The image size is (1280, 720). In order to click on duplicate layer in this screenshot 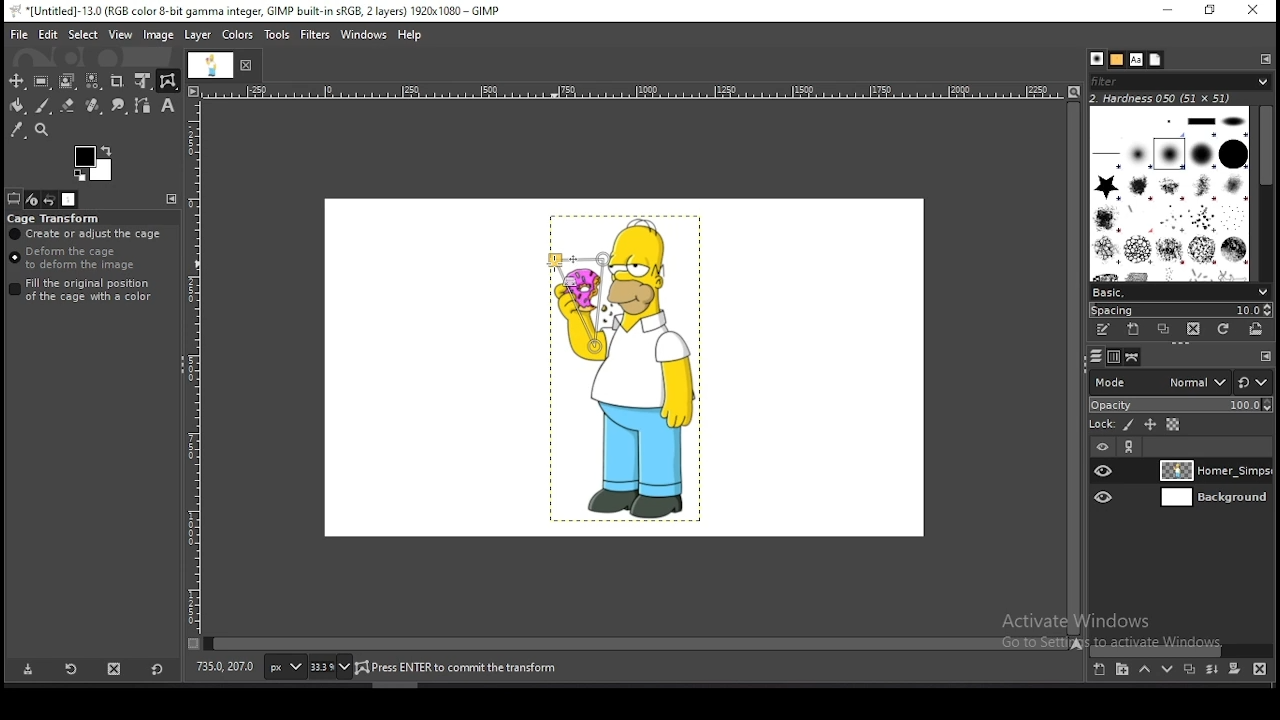, I will do `click(1189, 672)`.